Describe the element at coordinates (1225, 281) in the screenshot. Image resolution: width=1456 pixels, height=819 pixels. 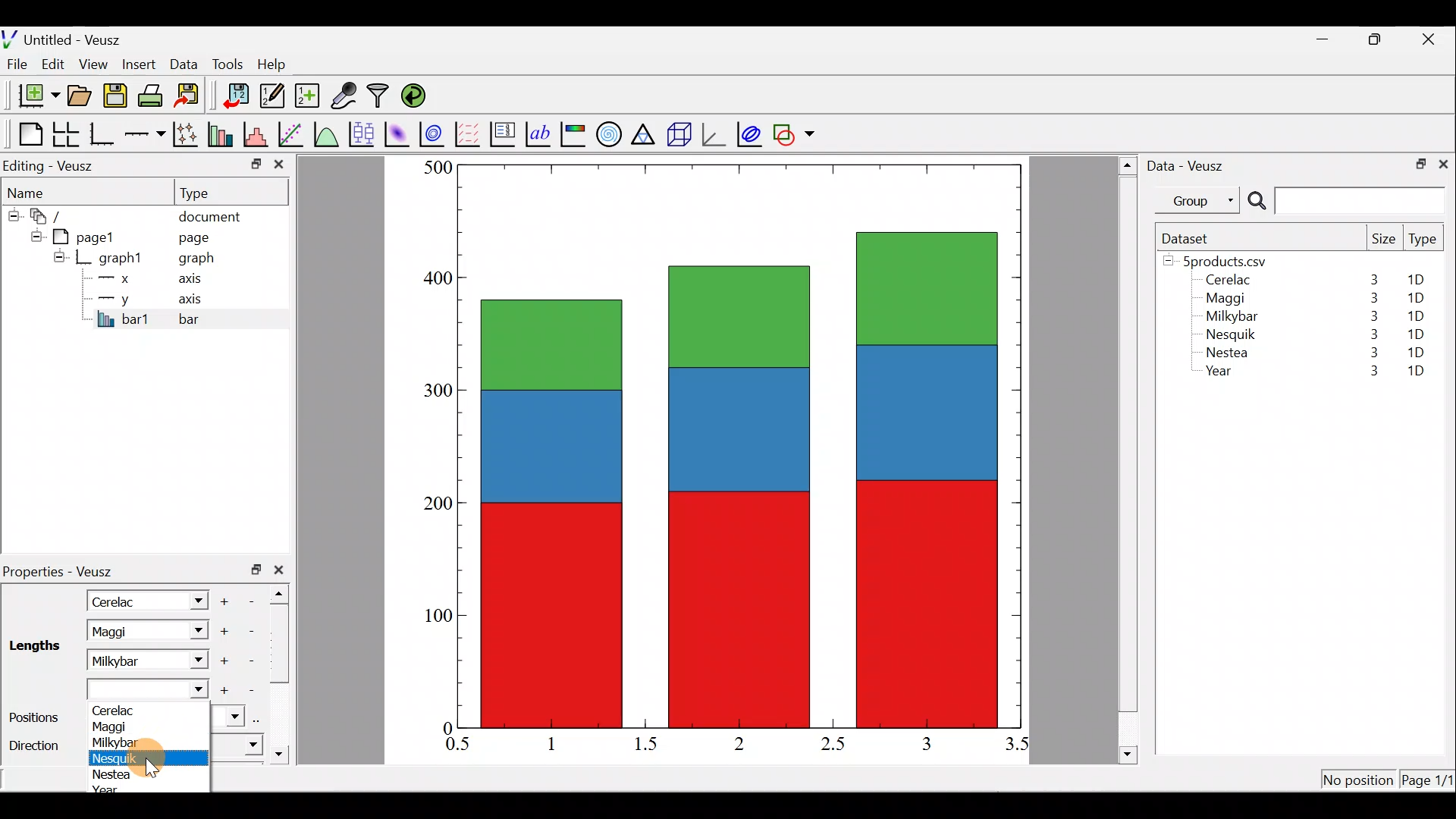
I see `Cerelac` at that location.